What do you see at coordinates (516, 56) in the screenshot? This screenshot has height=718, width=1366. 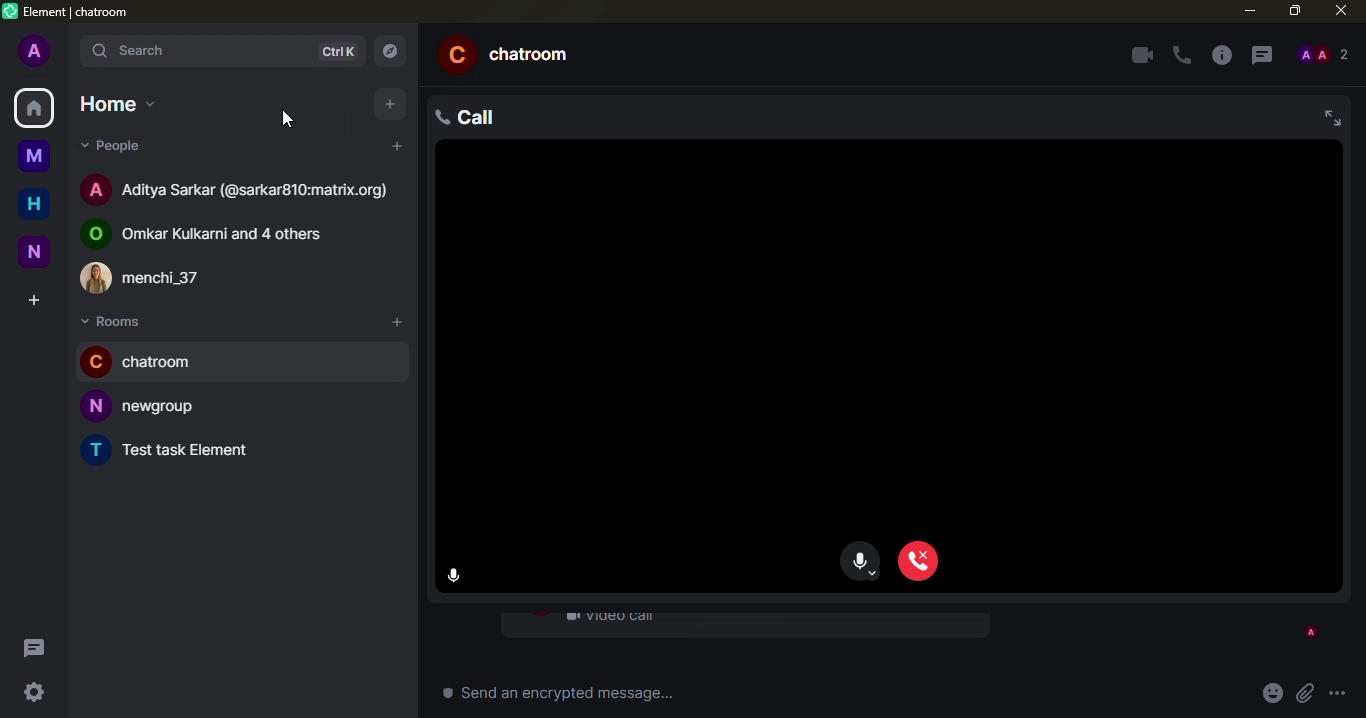 I see `chatroom` at bounding box center [516, 56].